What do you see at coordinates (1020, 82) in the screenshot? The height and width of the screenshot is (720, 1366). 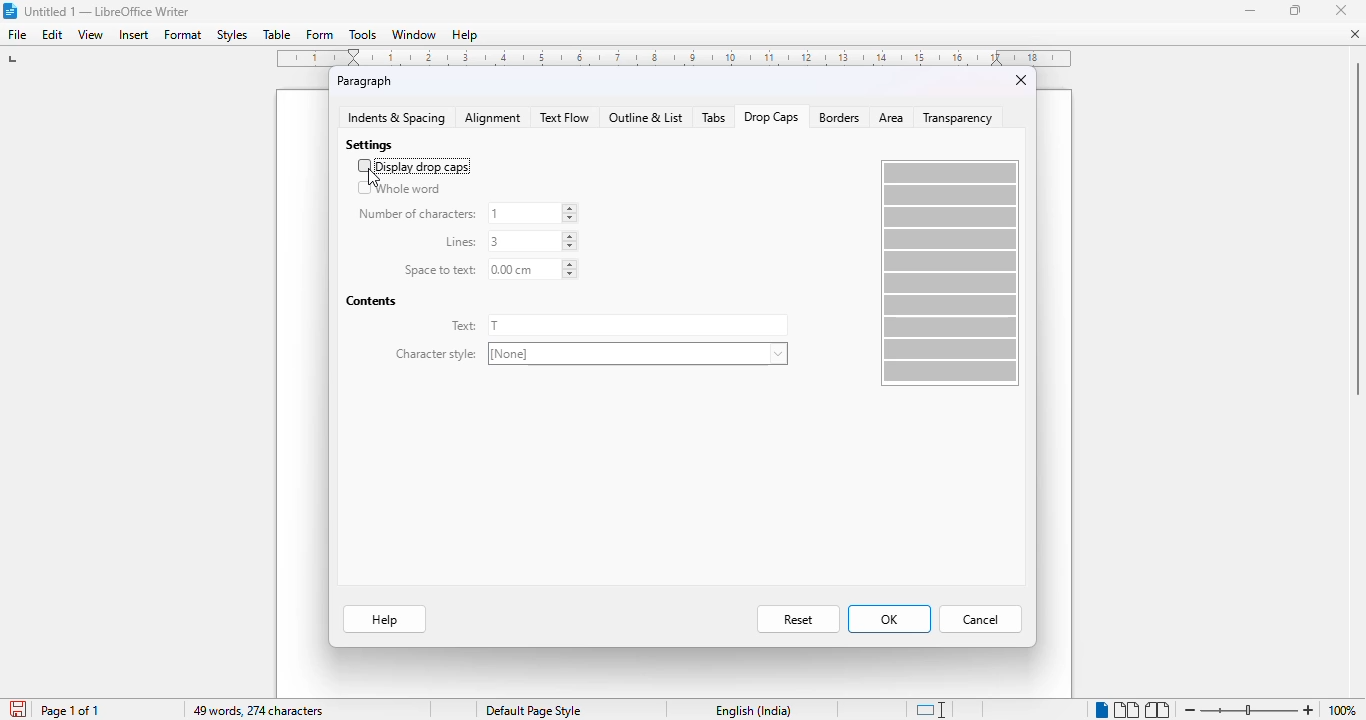 I see `close` at bounding box center [1020, 82].